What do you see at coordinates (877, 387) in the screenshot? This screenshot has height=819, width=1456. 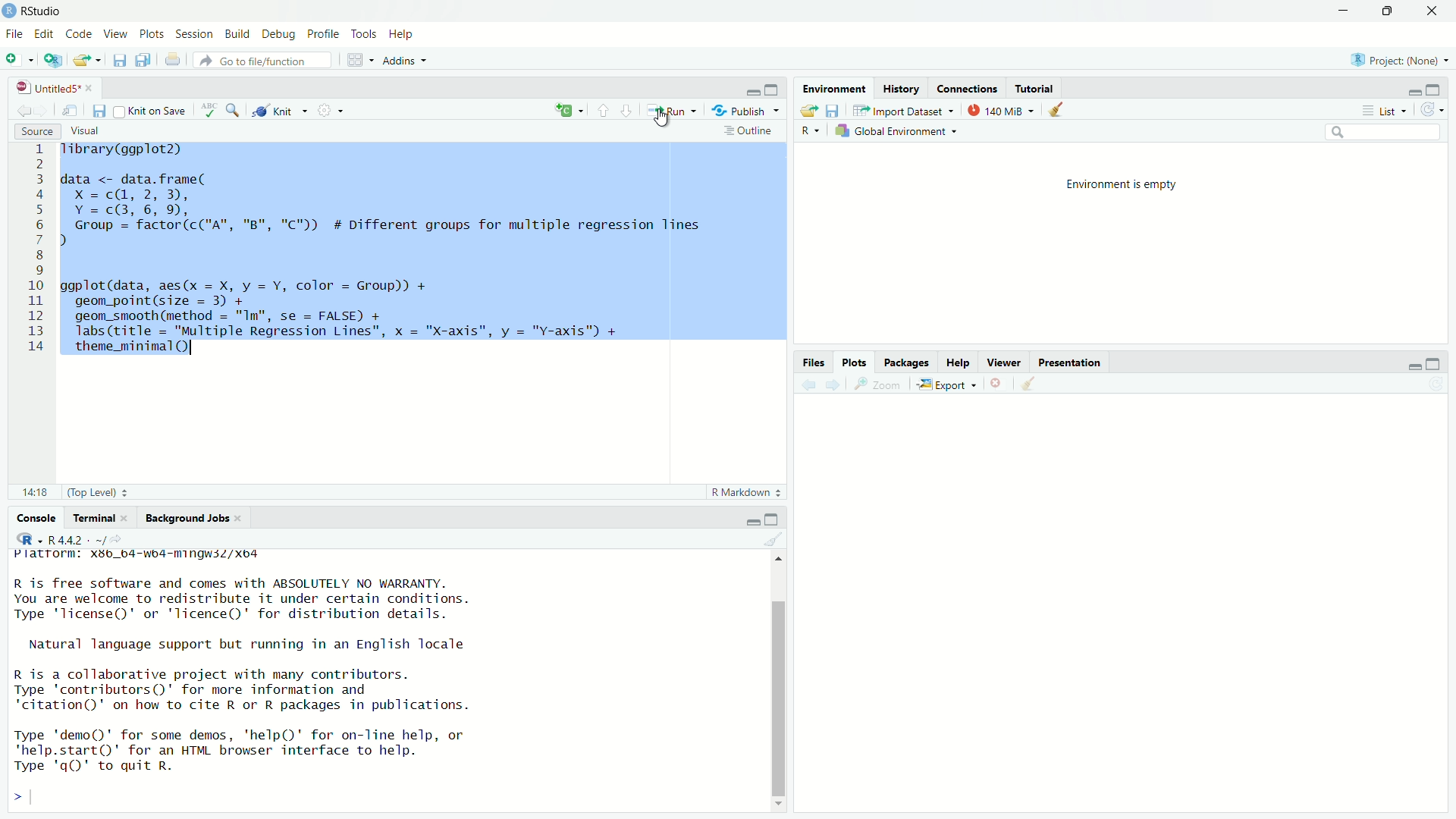 I see `zoom` at bounding box center [877, 387].